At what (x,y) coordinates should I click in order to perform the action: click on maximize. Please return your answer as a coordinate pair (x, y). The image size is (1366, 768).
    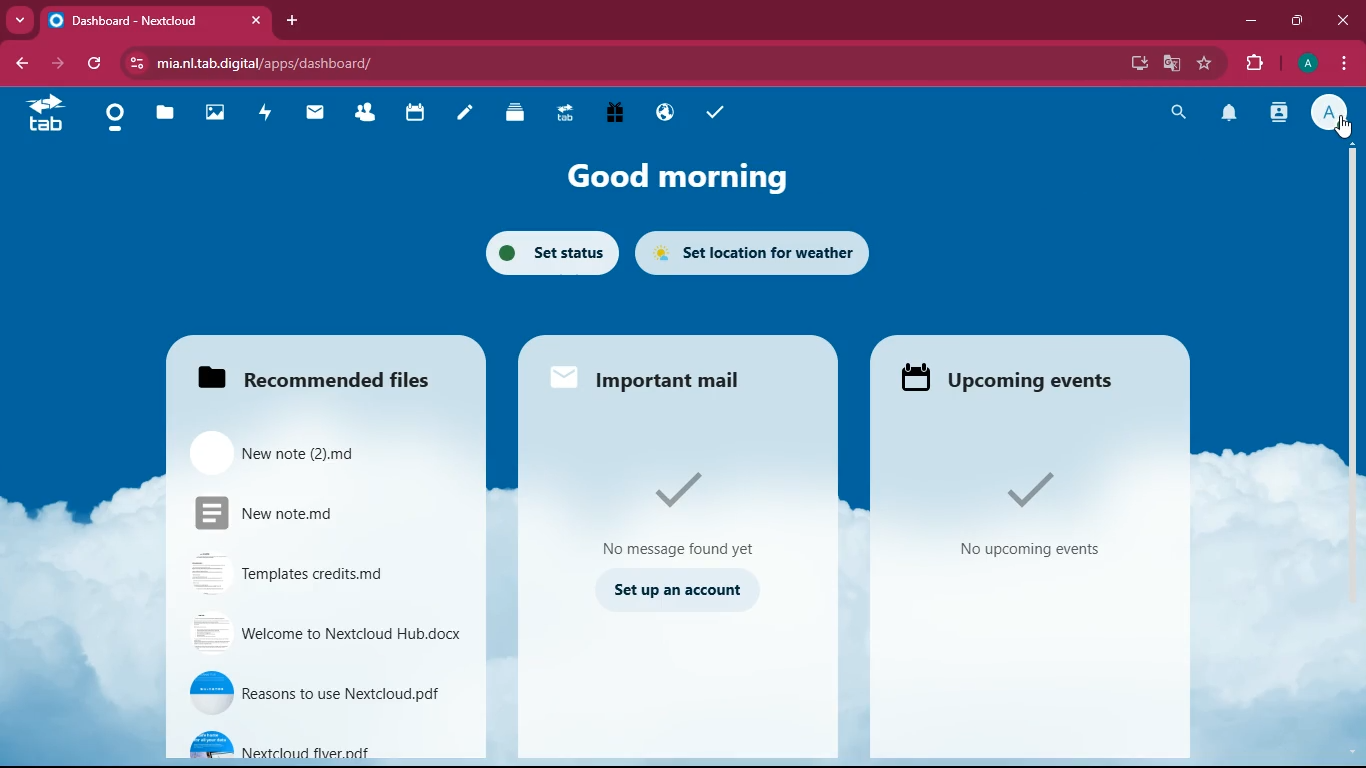
    Looking at the image, I should click on (1297, 21).